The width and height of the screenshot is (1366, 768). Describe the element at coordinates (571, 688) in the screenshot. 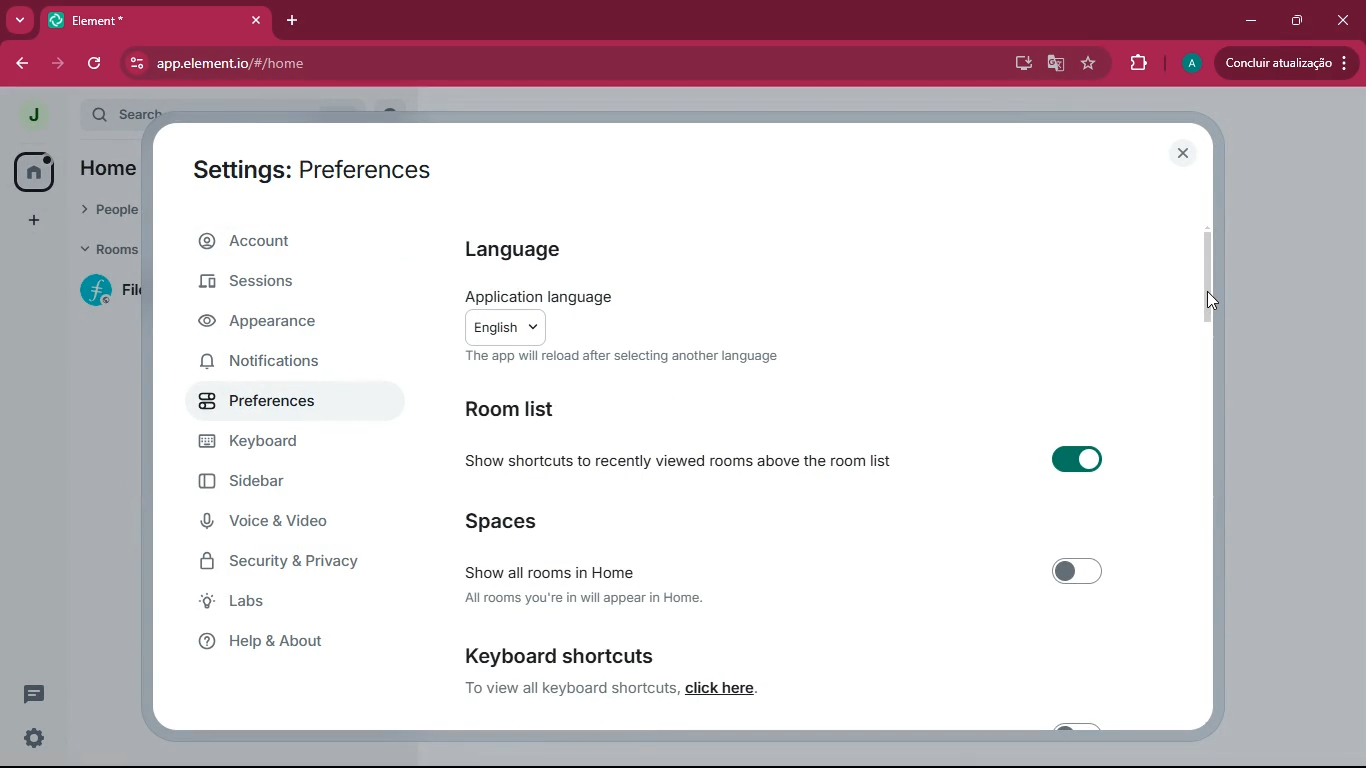

I see `to view all keyboard shortcuts,` at that location.